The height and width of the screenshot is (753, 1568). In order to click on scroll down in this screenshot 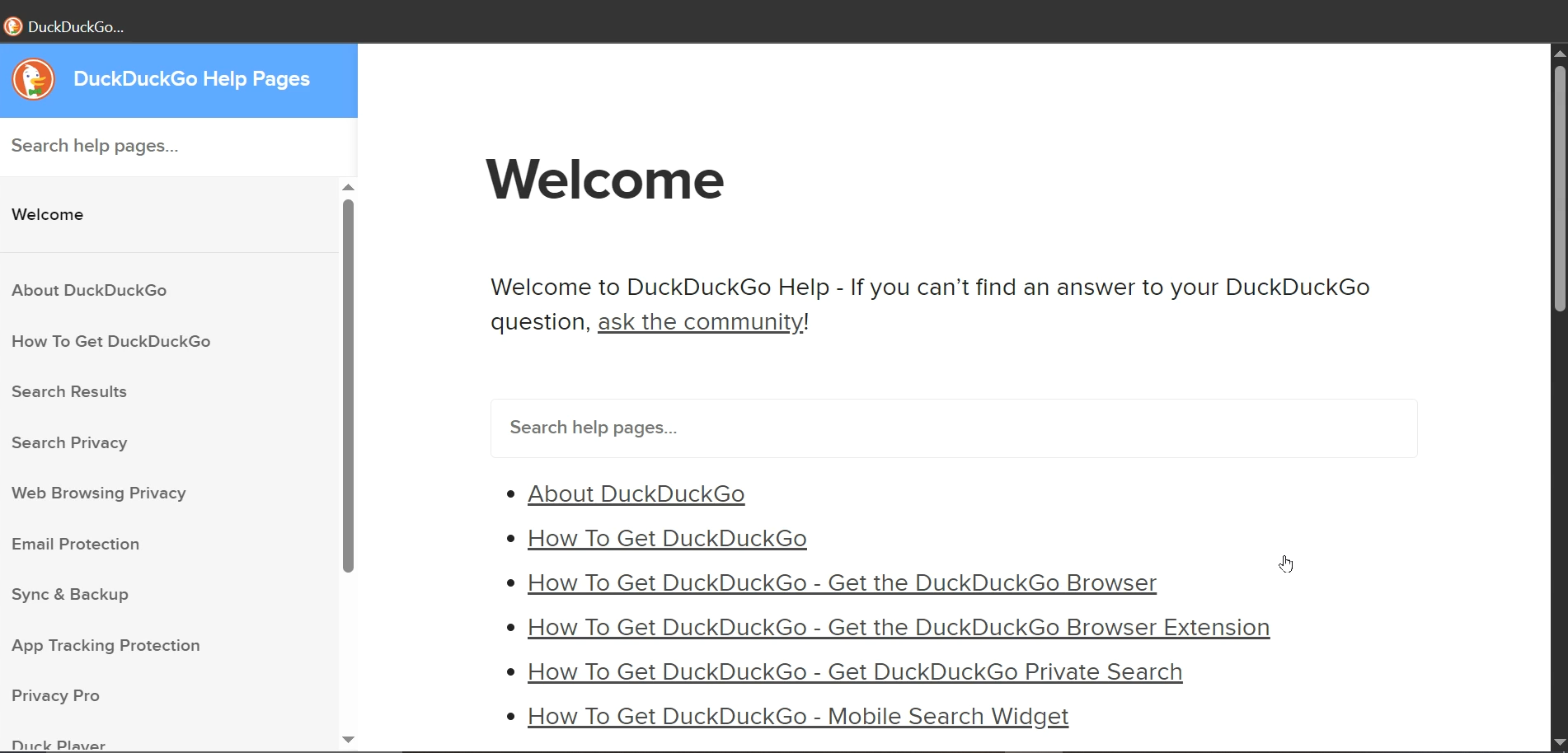, I will do `click(350, 738)`.